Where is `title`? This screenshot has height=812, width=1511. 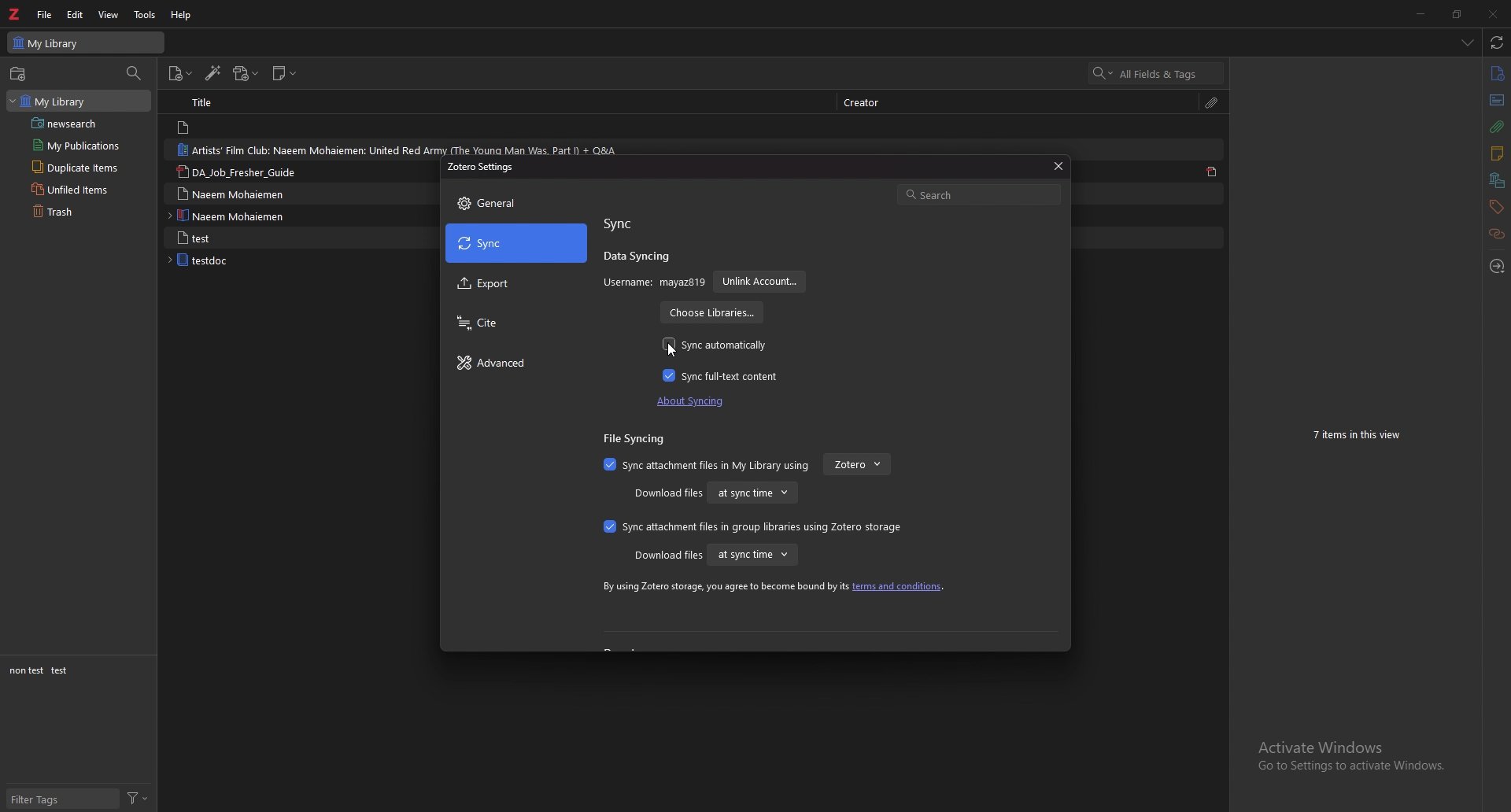 title is located at coordinates (218, 103).